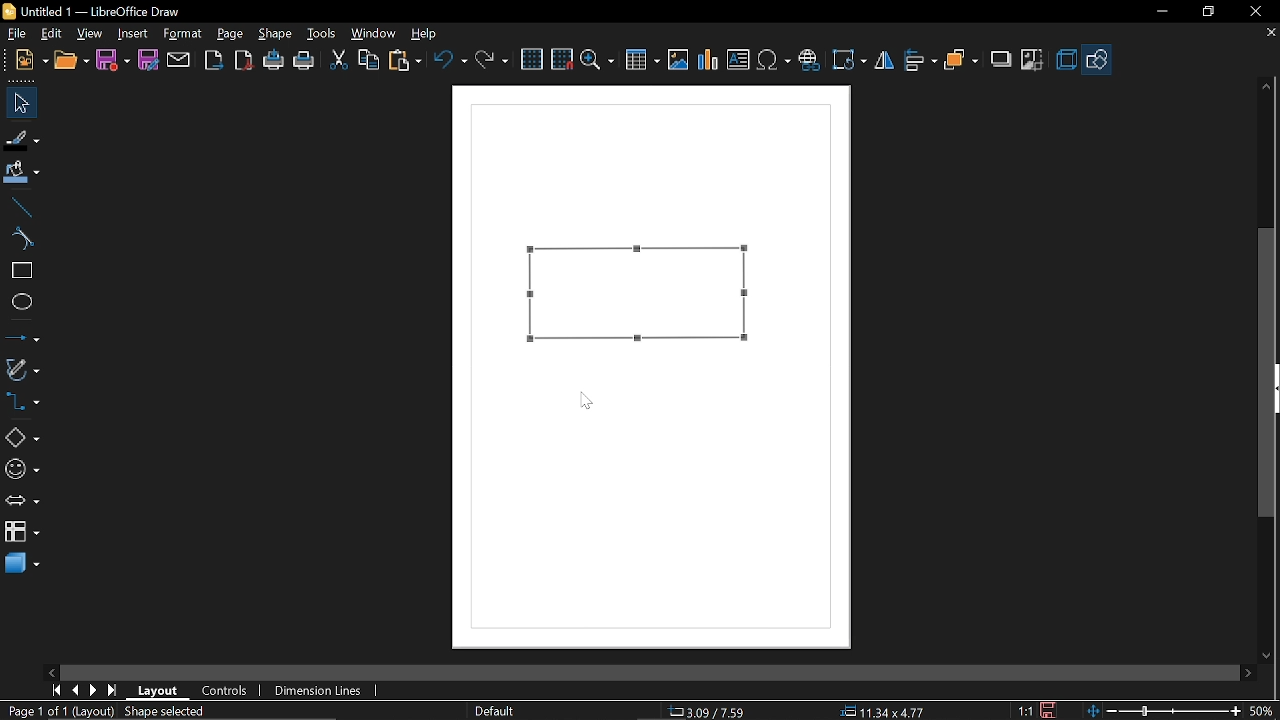  What do you see at coordinates (677, 58) in the screenshot?
I see `insert image` at bounding box center [677, 58].